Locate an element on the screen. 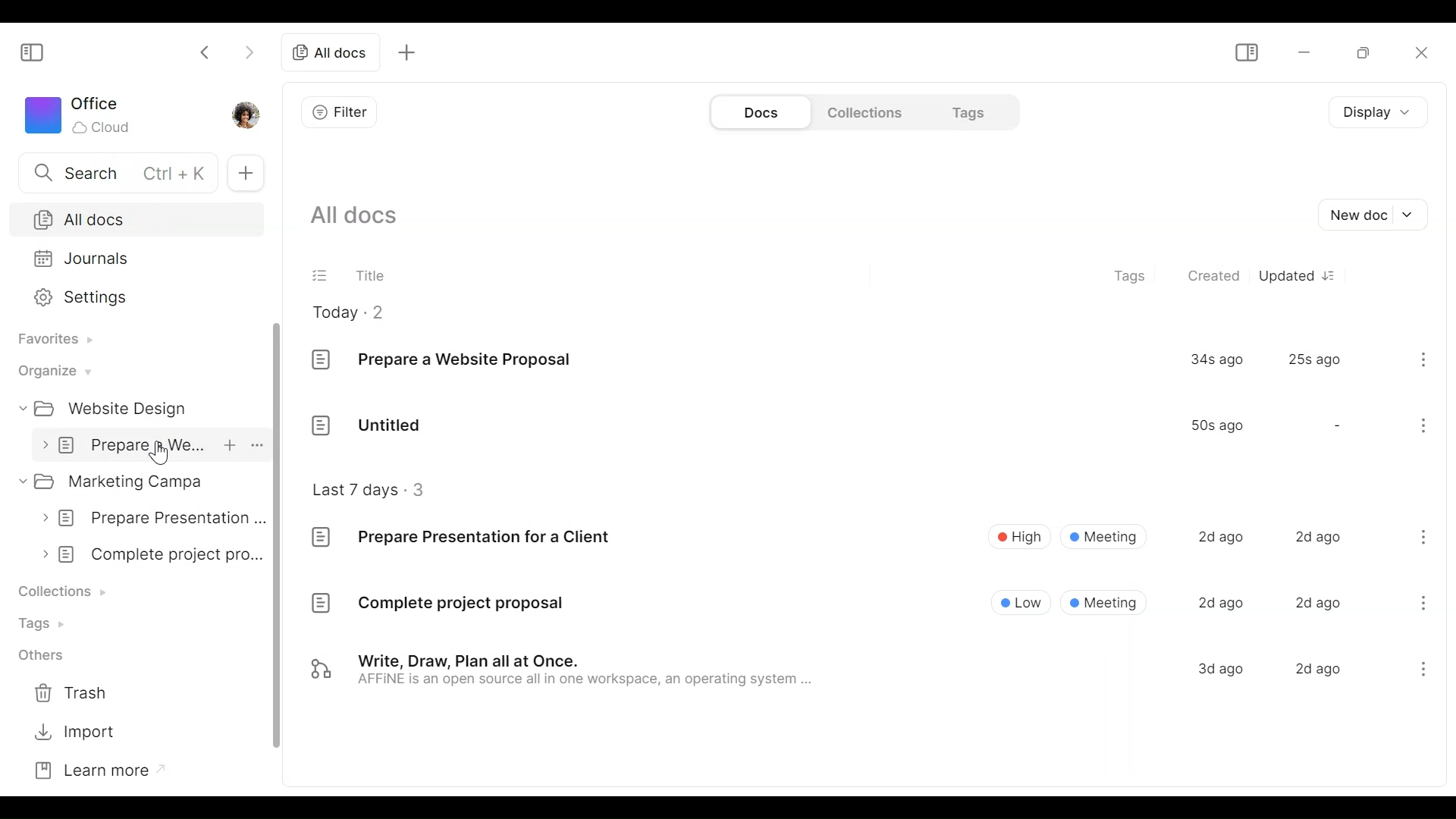 The height and width of the screenshot is (819, 1456). Display is located at coordinates (1376, 110).